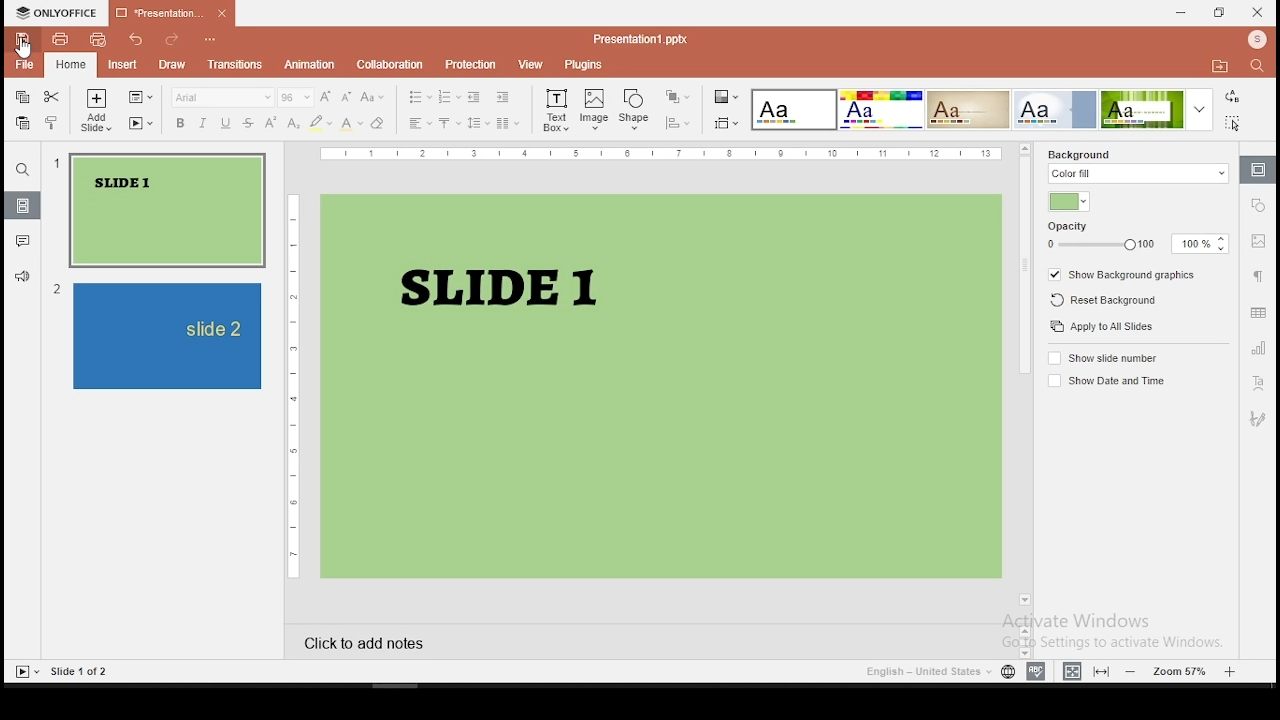 The image size is (1280, 720). What do you see at coordinates (1057, 109) in the screenshot?
I see `select color theme` at bounding box center [1057, 109].